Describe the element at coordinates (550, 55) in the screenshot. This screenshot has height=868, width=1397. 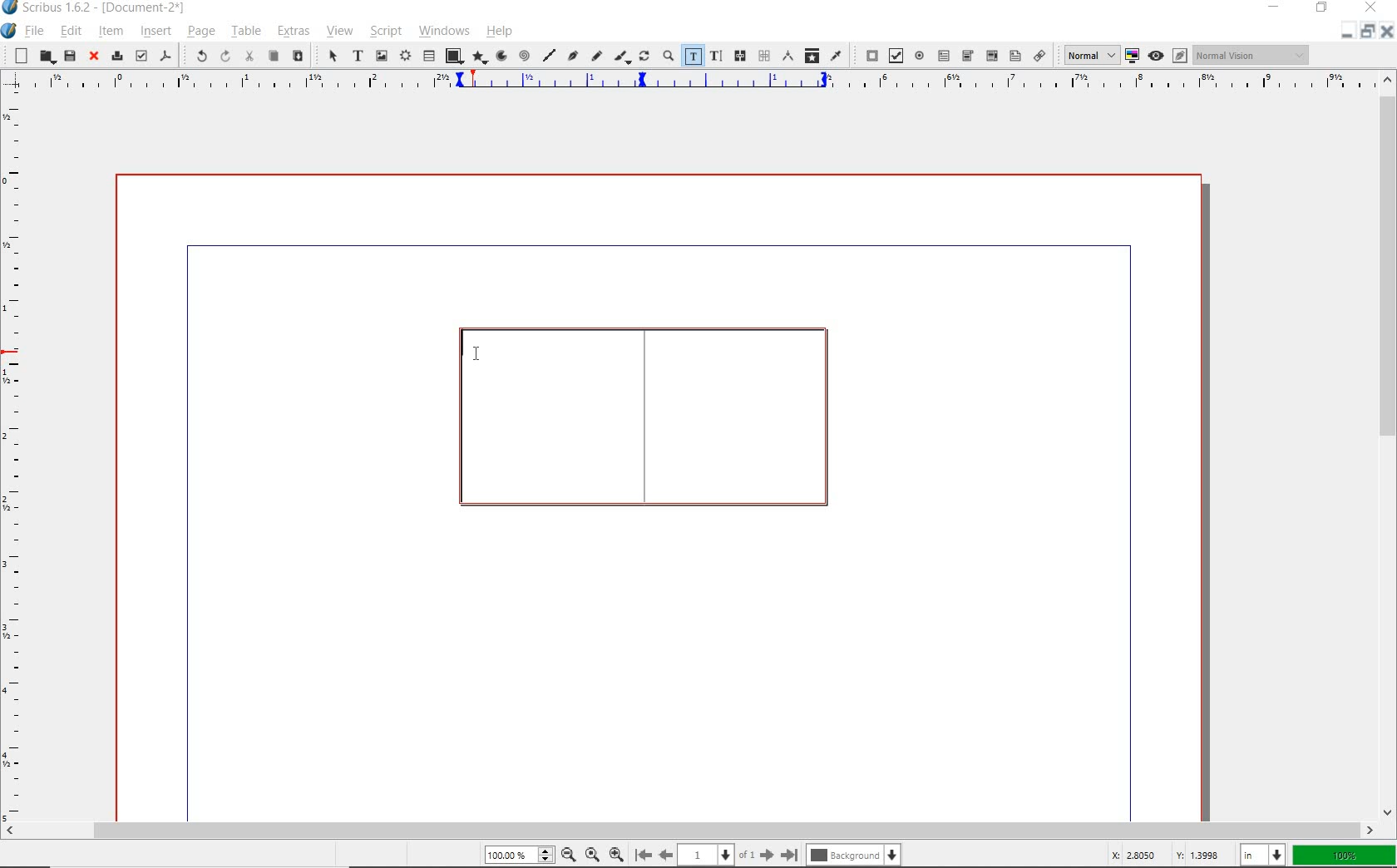
I see `line` at that location.